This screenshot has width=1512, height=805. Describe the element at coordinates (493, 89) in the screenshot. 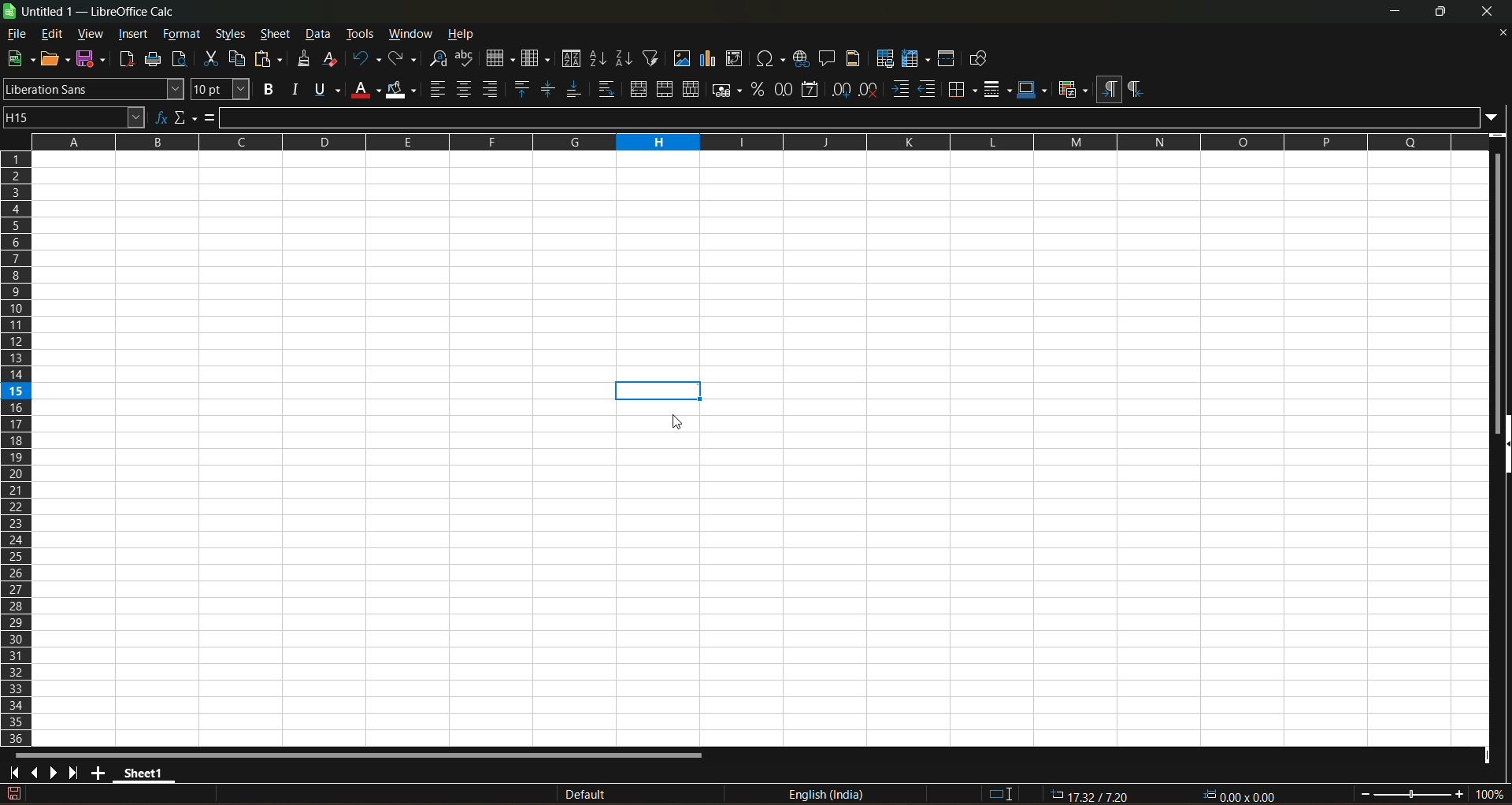

I see `align right` at that location.